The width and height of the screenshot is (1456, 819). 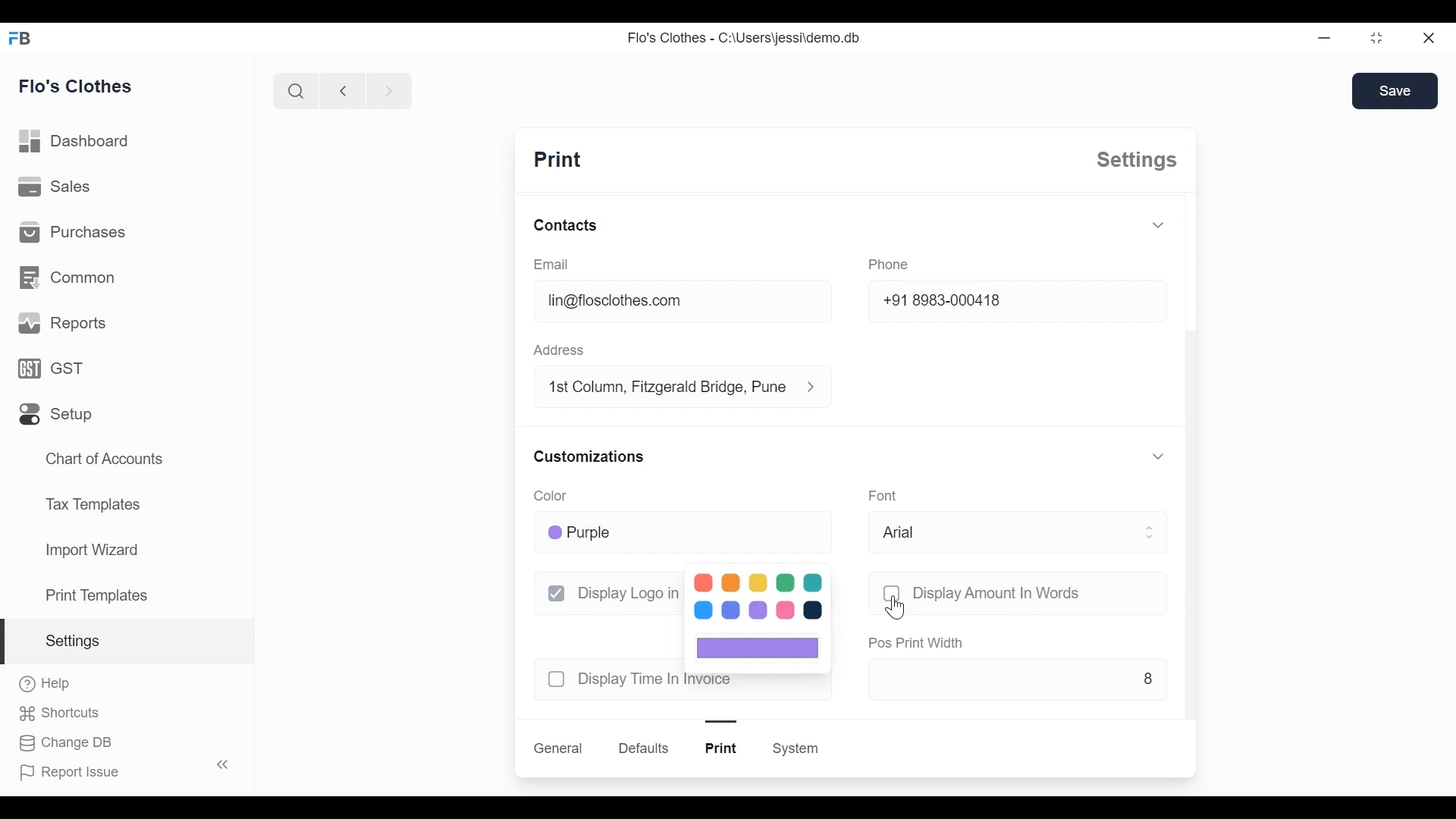 I want to click on save, so click(x=1395, y=91).